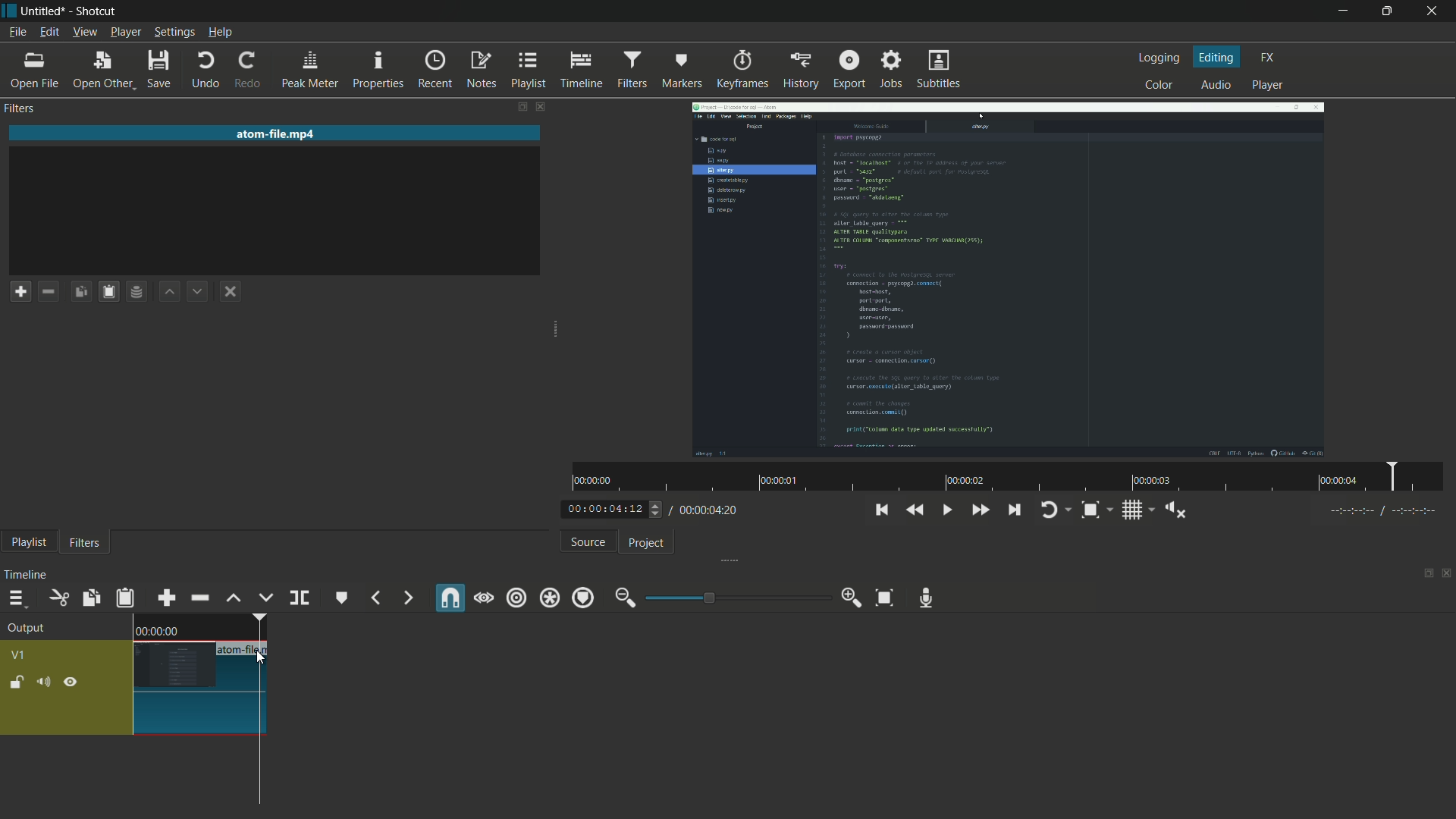 The height and width of the screenshot is (819, 1456). What do you see at coordinates (485, 598) in the screenshot?
I see `scrub while dragging` at bounding box center [485, 598].